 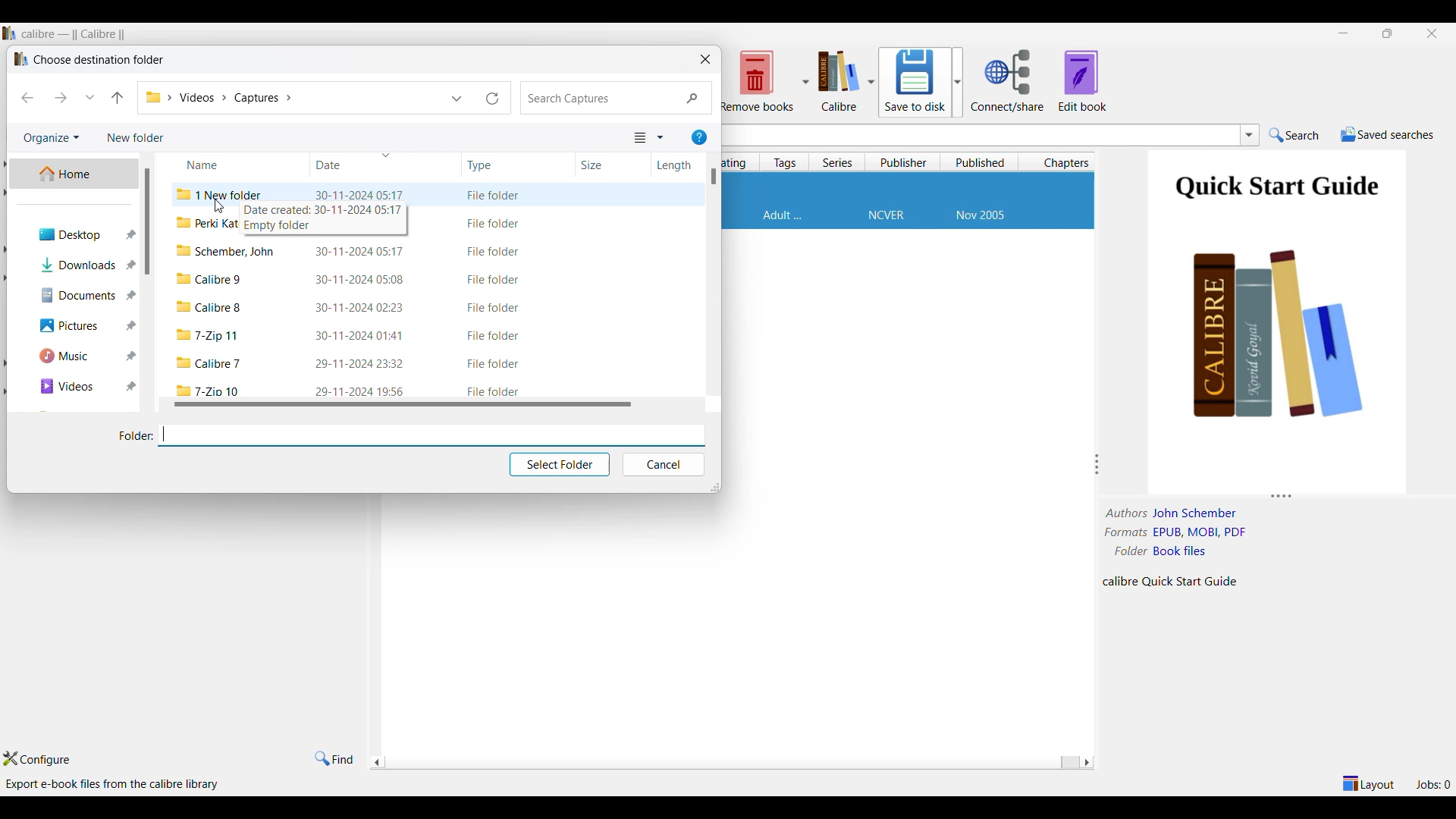 What do you see at coordinates (359, 194) in the screenshot?
I see `date ` at bounding box center [359, 194].